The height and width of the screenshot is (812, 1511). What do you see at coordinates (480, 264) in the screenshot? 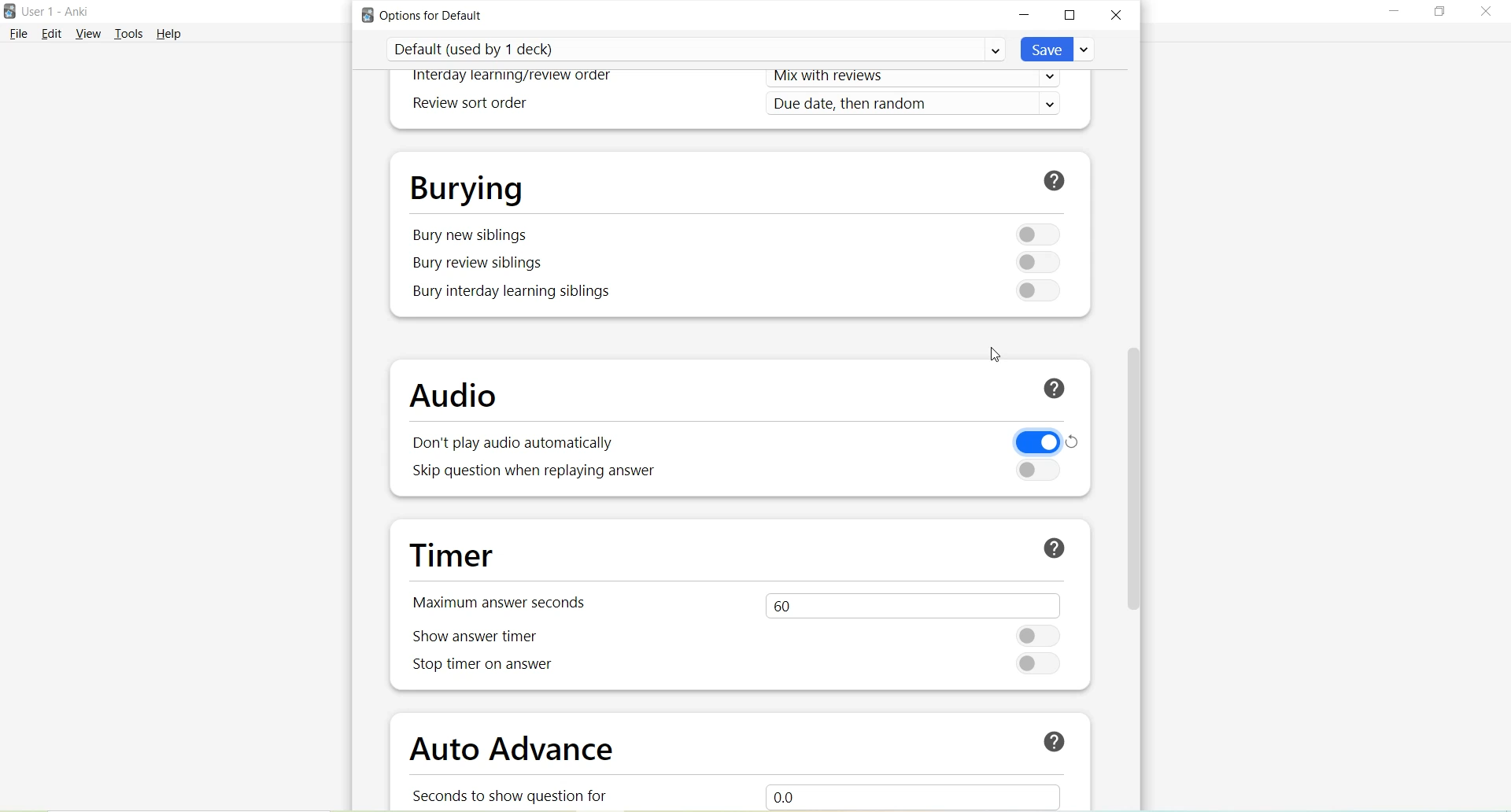
I see `Bury review siblings` at bounding box center [480, 264].